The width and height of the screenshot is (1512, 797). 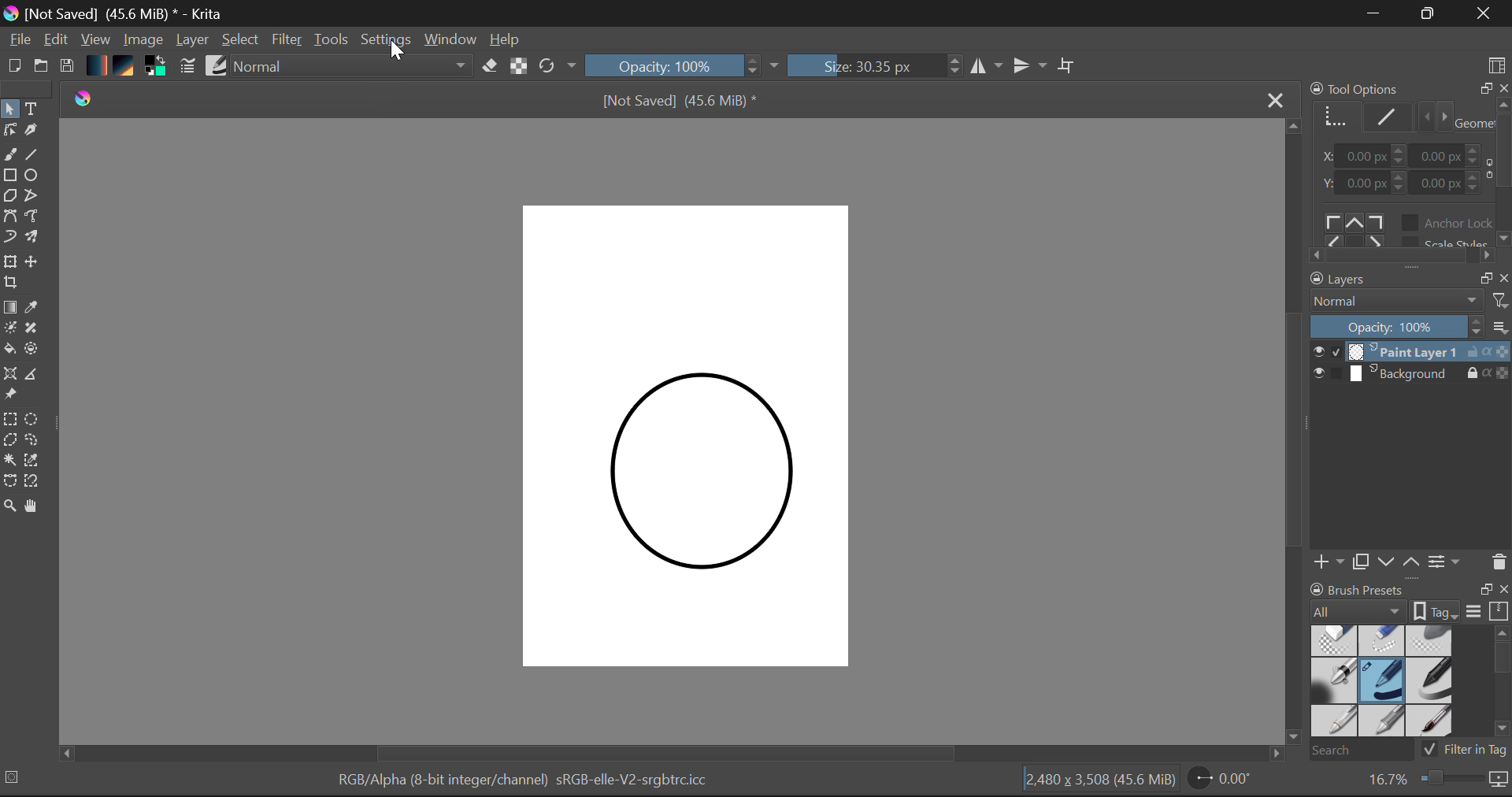 I want to click on Brush Settings, so click(x=187, y=67).